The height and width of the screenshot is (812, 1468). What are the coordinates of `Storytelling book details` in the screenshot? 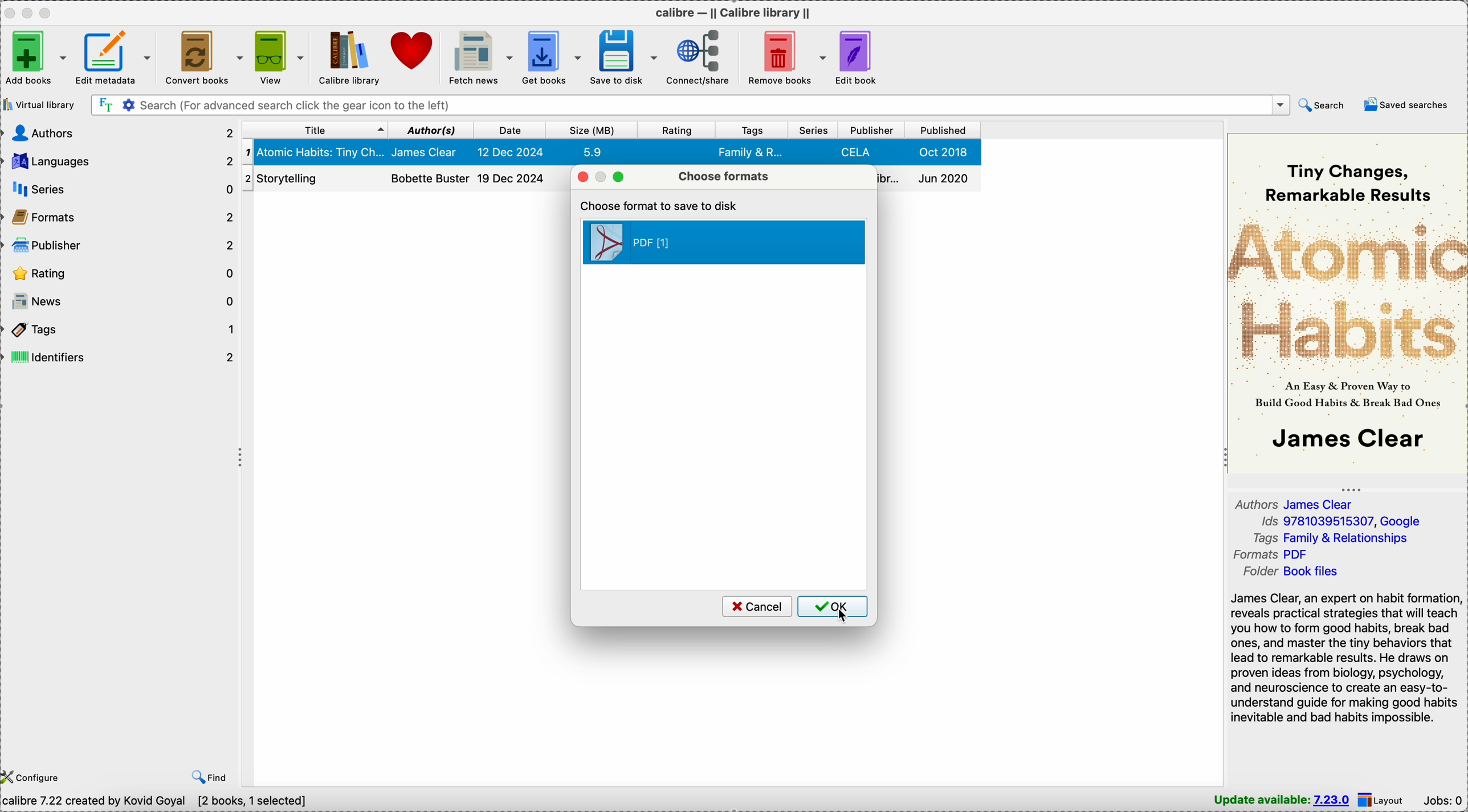 It's located at (405, 179).